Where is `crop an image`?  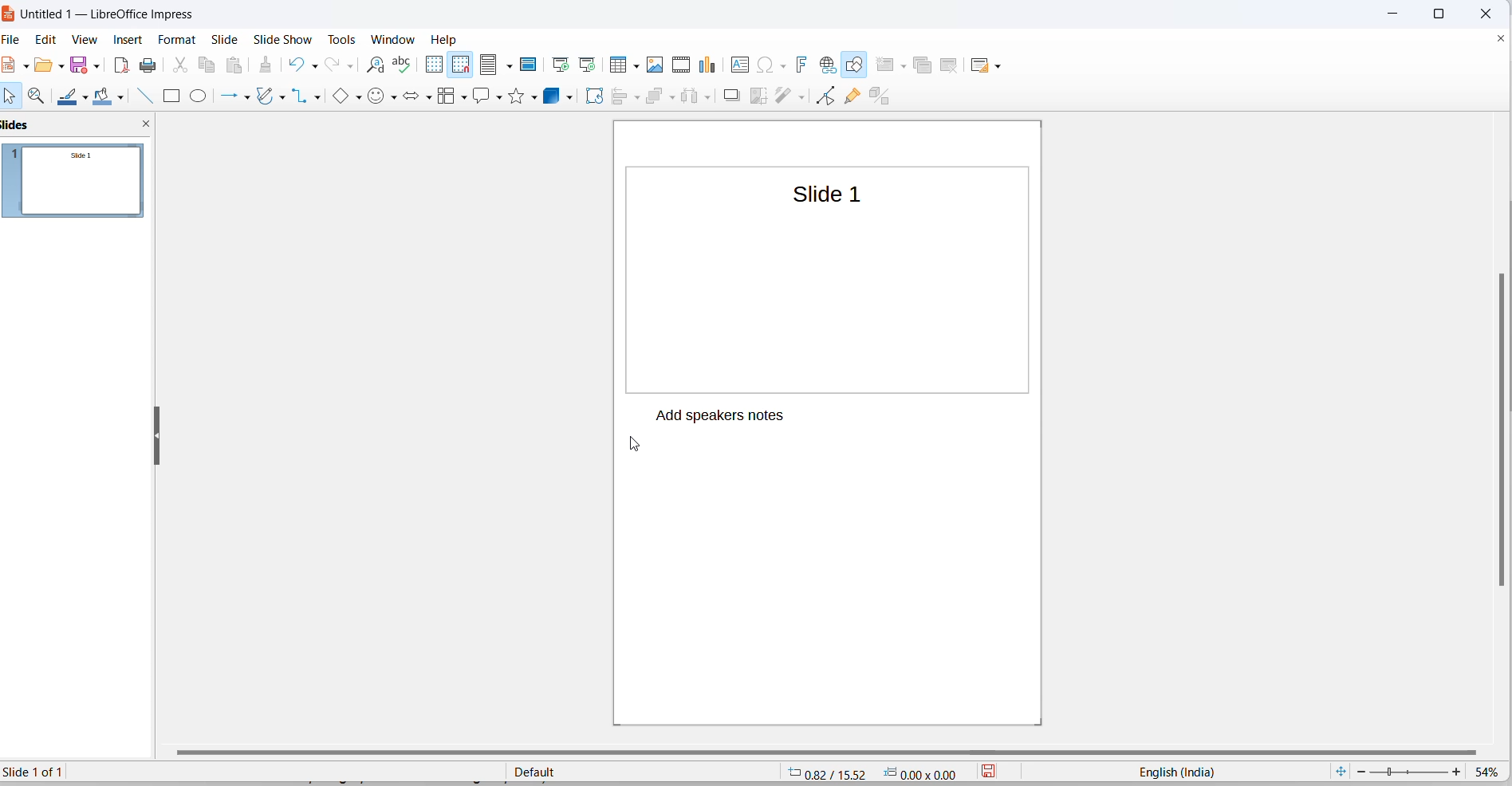 crop an image is located at coordinates (755, 98).